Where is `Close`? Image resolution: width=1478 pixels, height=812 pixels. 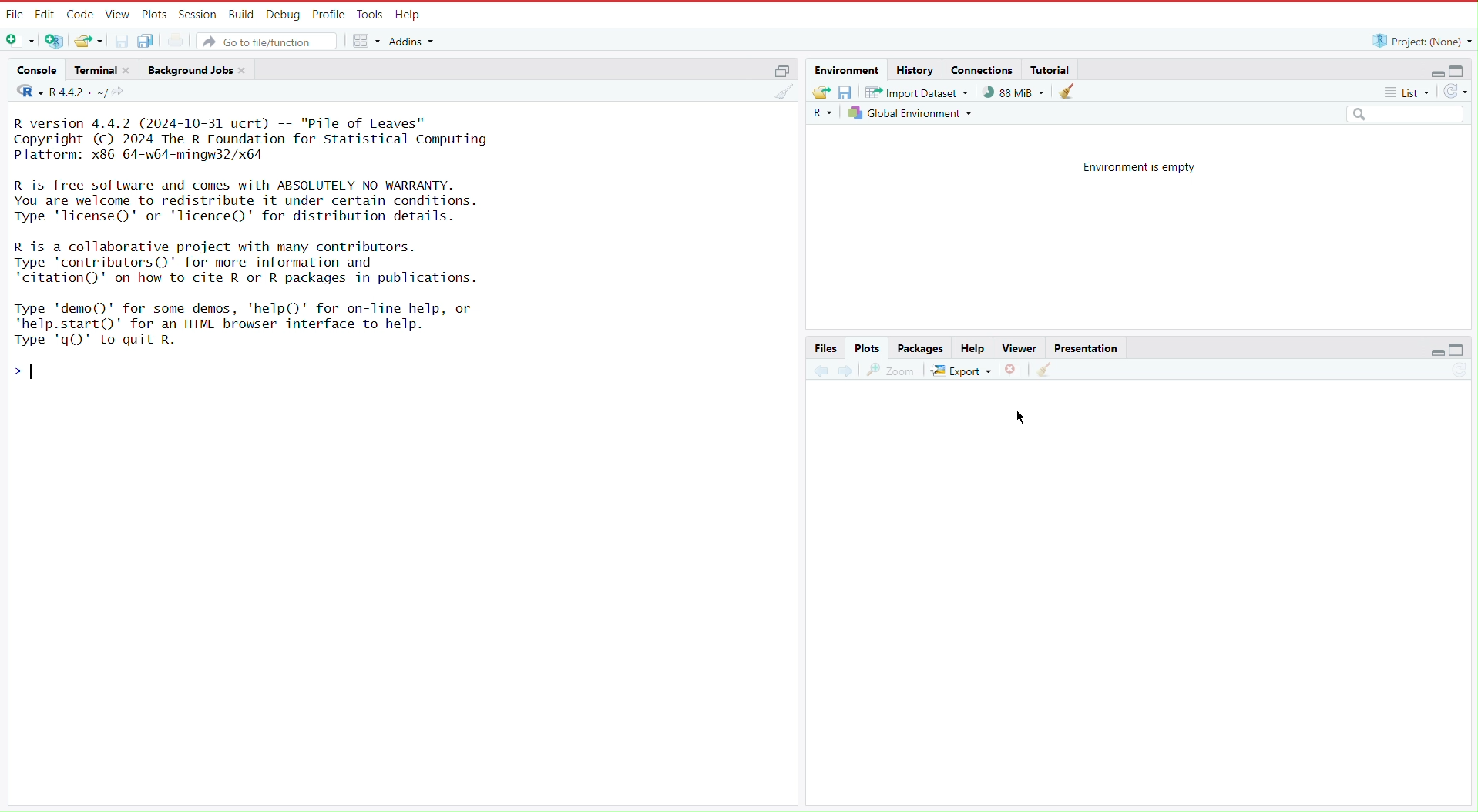
Close is located at coordinates (1013, 368).